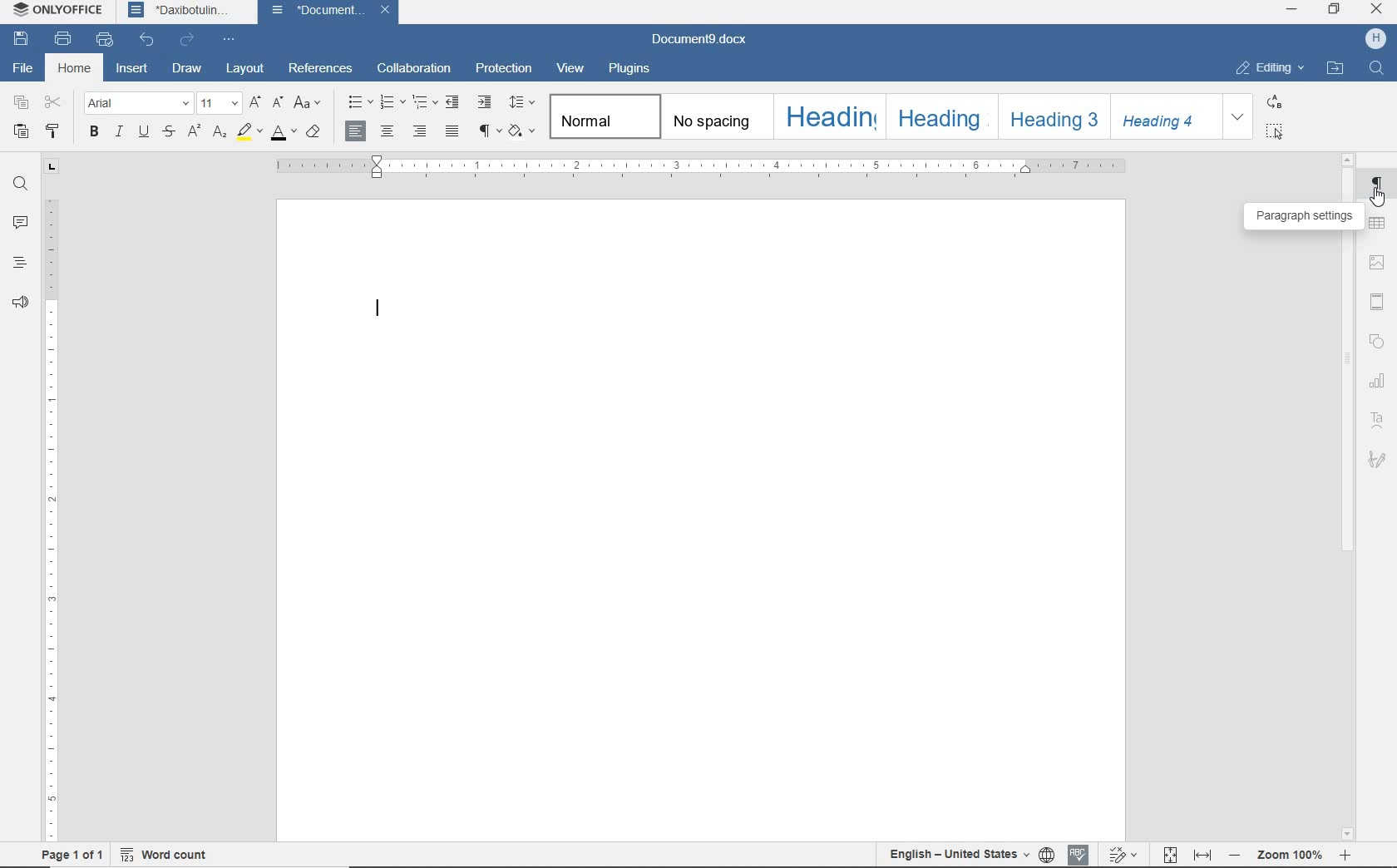 This screenshot has width=1397, height=868. I want to click on bold, so click(93, 133).